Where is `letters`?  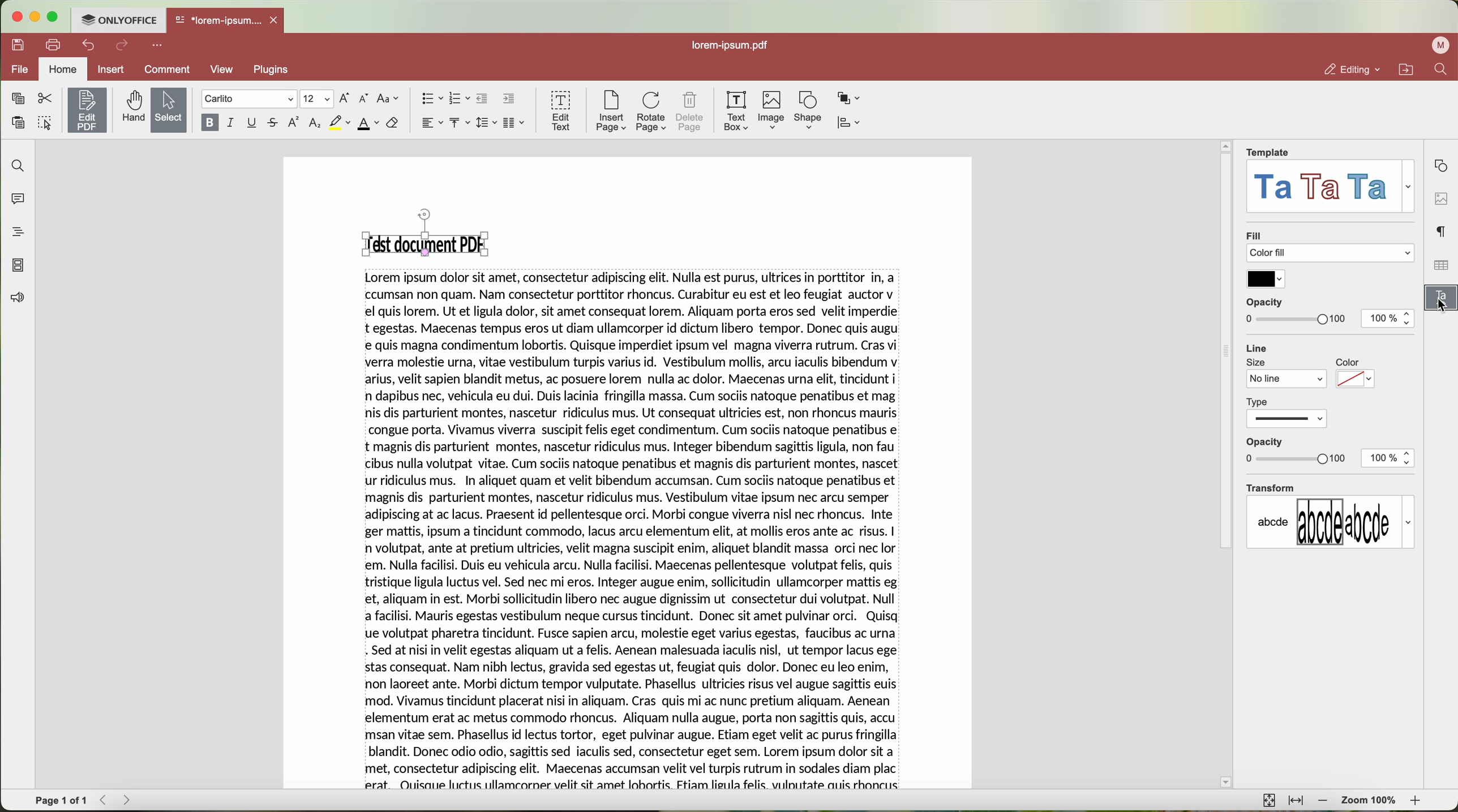 letters is located at coordinates (1332, 187).